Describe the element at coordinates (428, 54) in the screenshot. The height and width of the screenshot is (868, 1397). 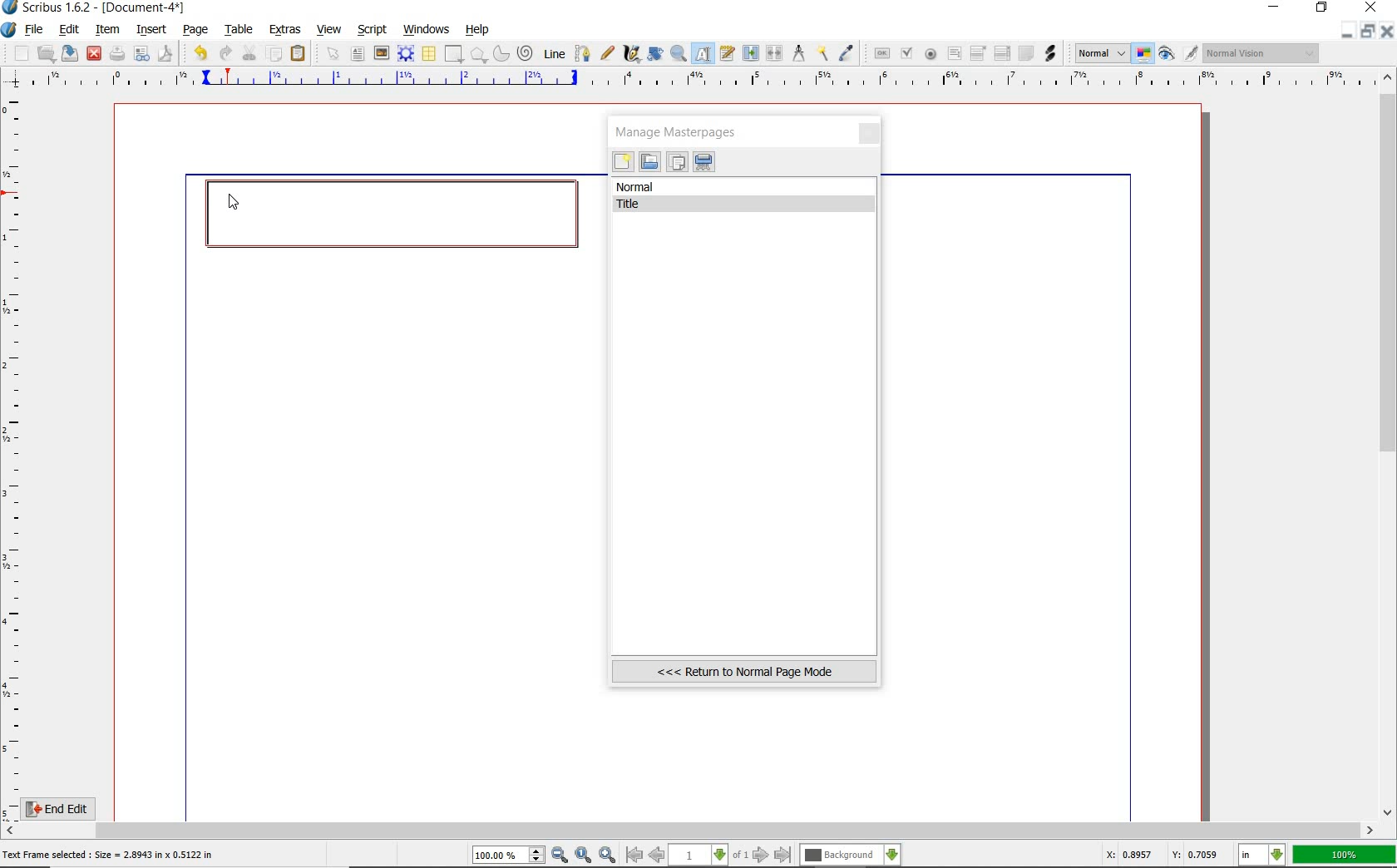
I see `table` at that location.